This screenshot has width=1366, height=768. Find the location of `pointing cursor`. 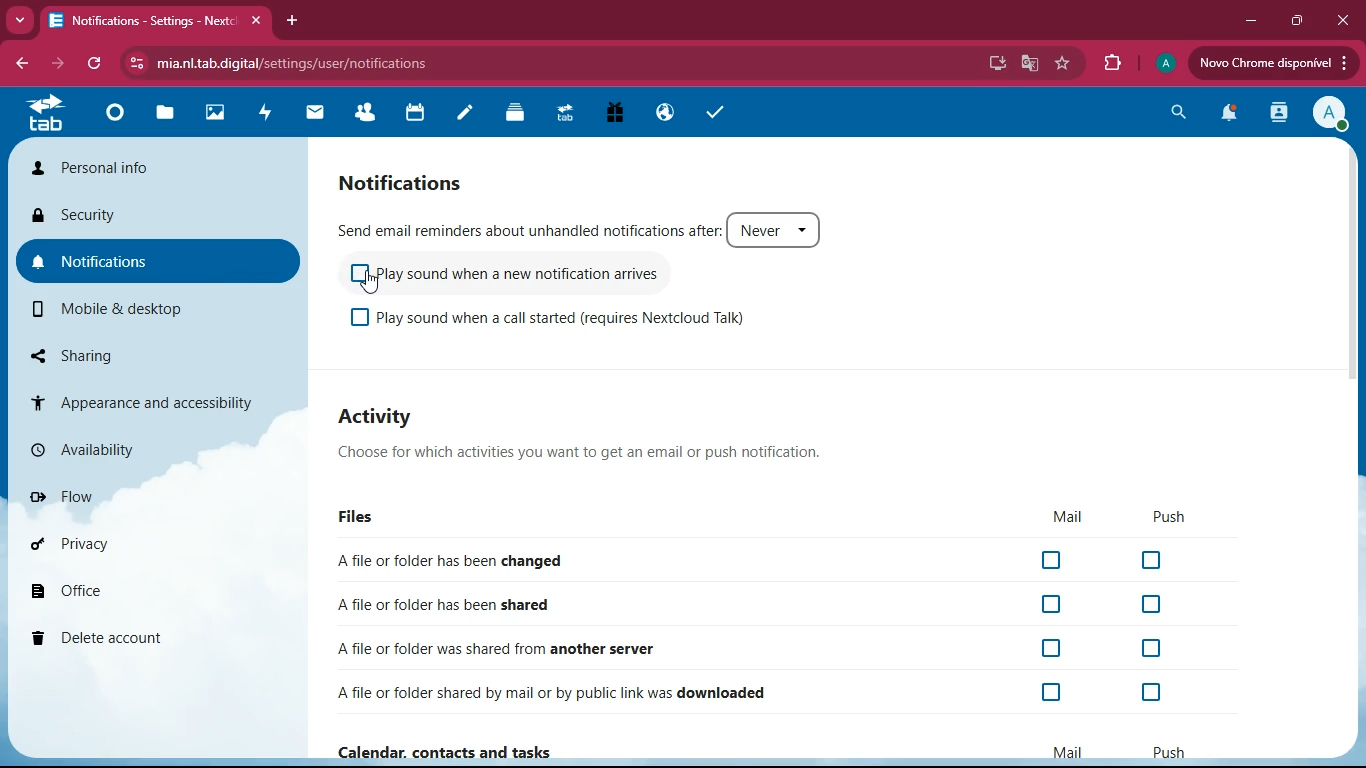

pointing cursor is located at coordinates (373, 284).